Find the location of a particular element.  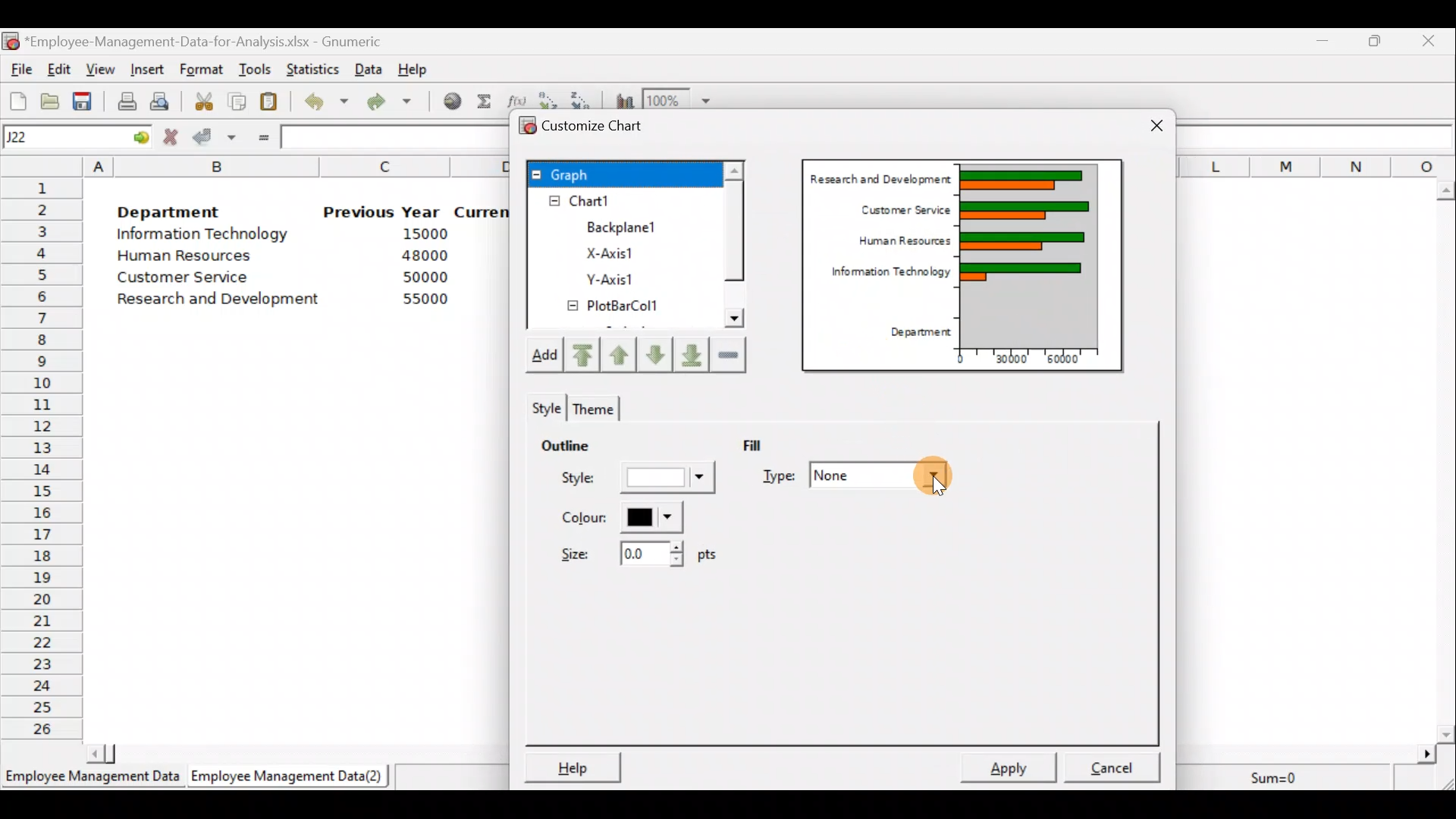

Statistics is located at coordinates (314, 65).